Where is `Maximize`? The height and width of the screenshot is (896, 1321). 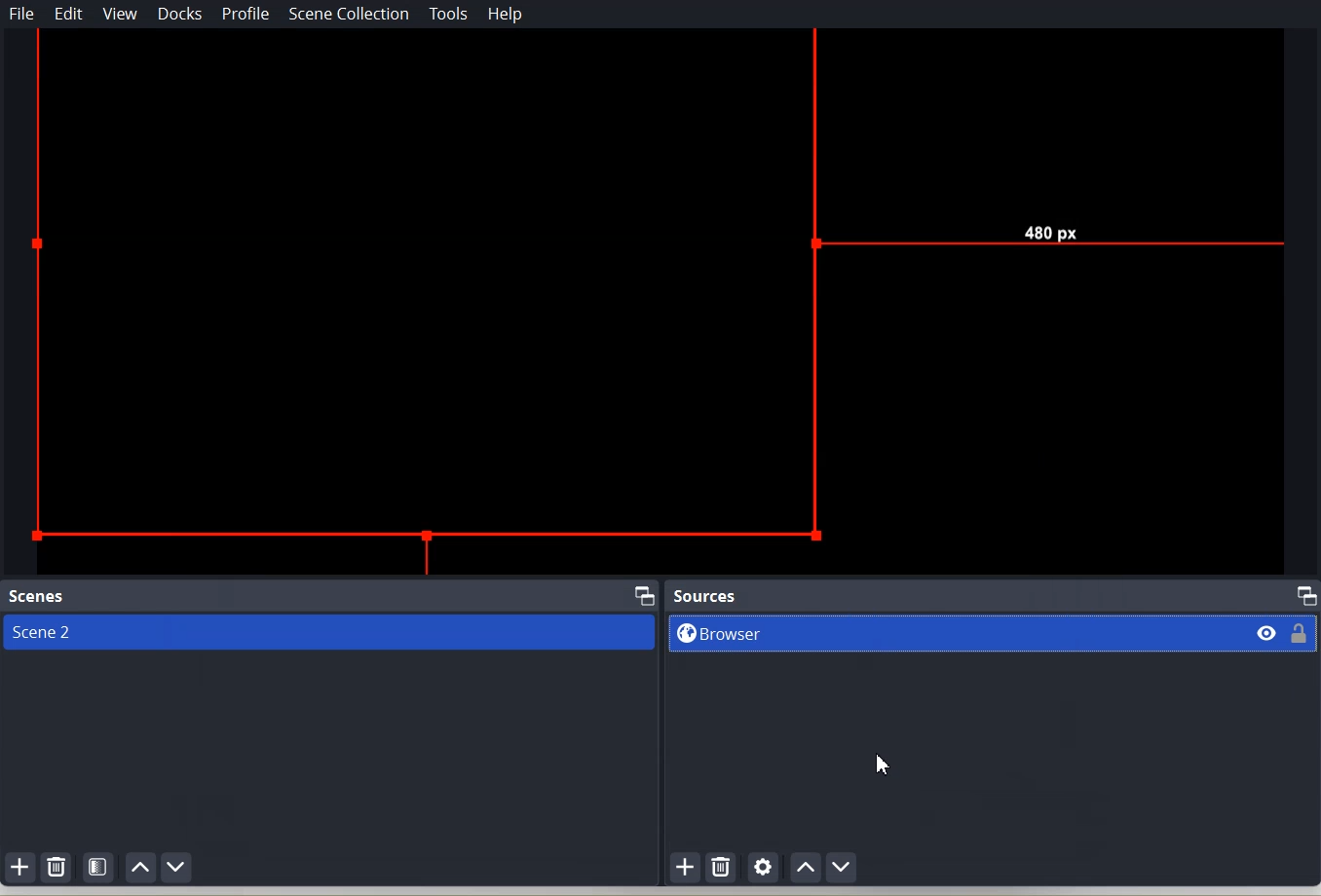 Maximize is located at coordinates (1307, 596).